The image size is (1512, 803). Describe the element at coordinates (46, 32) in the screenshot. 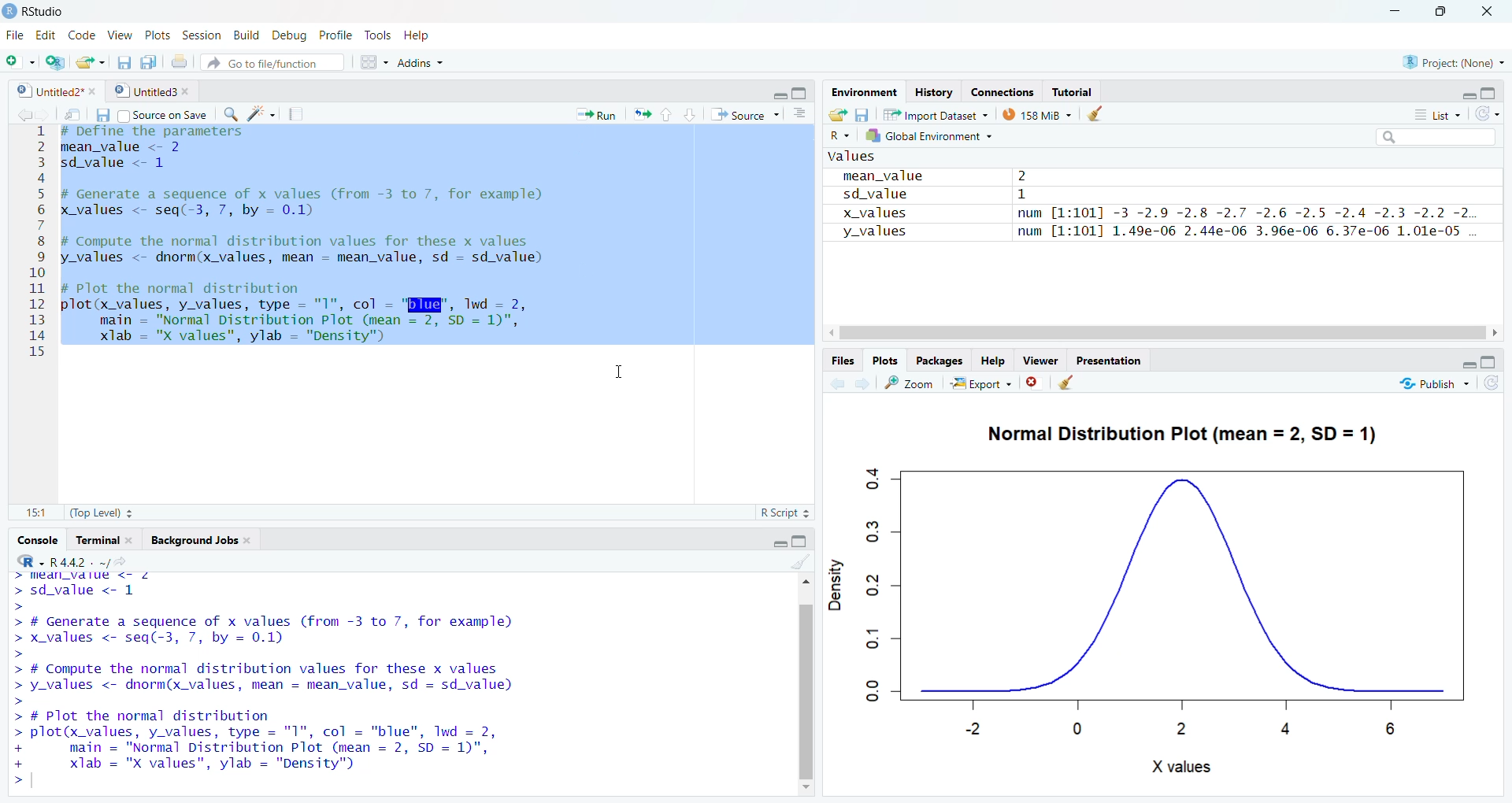

I see `Edit` at that location.